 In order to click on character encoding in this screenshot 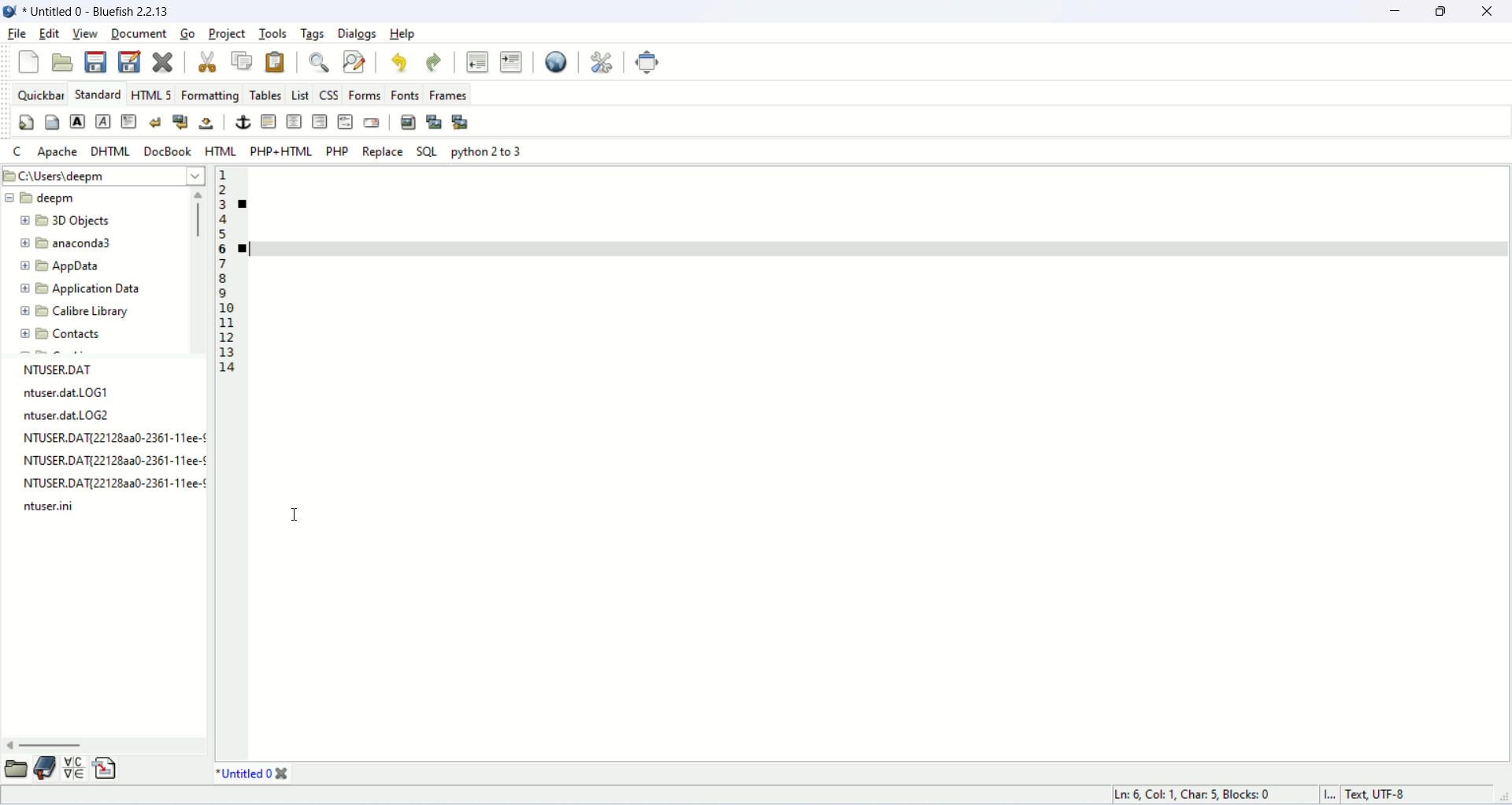, I will do `click(1405, 795)`.